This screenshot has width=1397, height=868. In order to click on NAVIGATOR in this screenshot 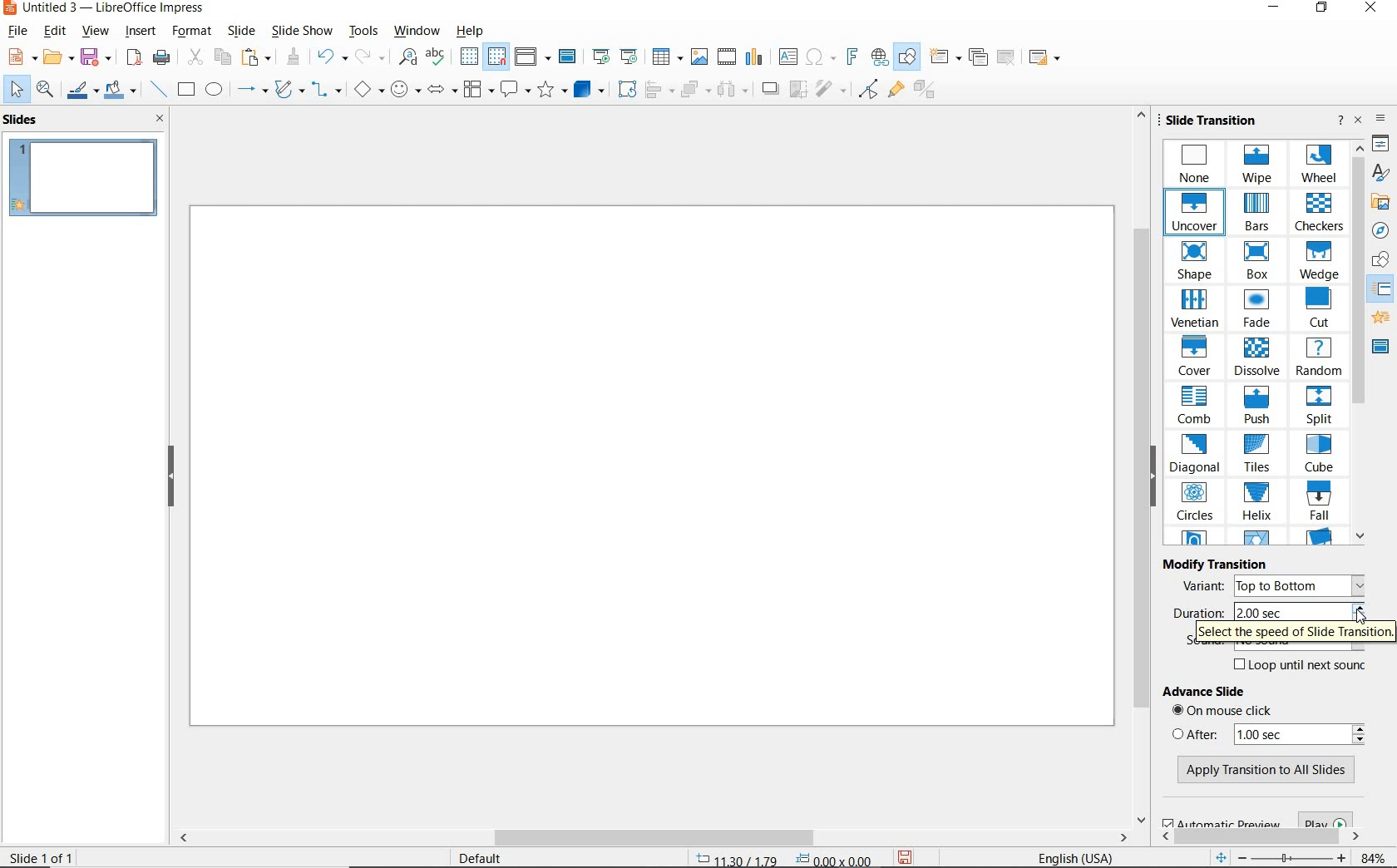, I will do `click(1380, 230)`.